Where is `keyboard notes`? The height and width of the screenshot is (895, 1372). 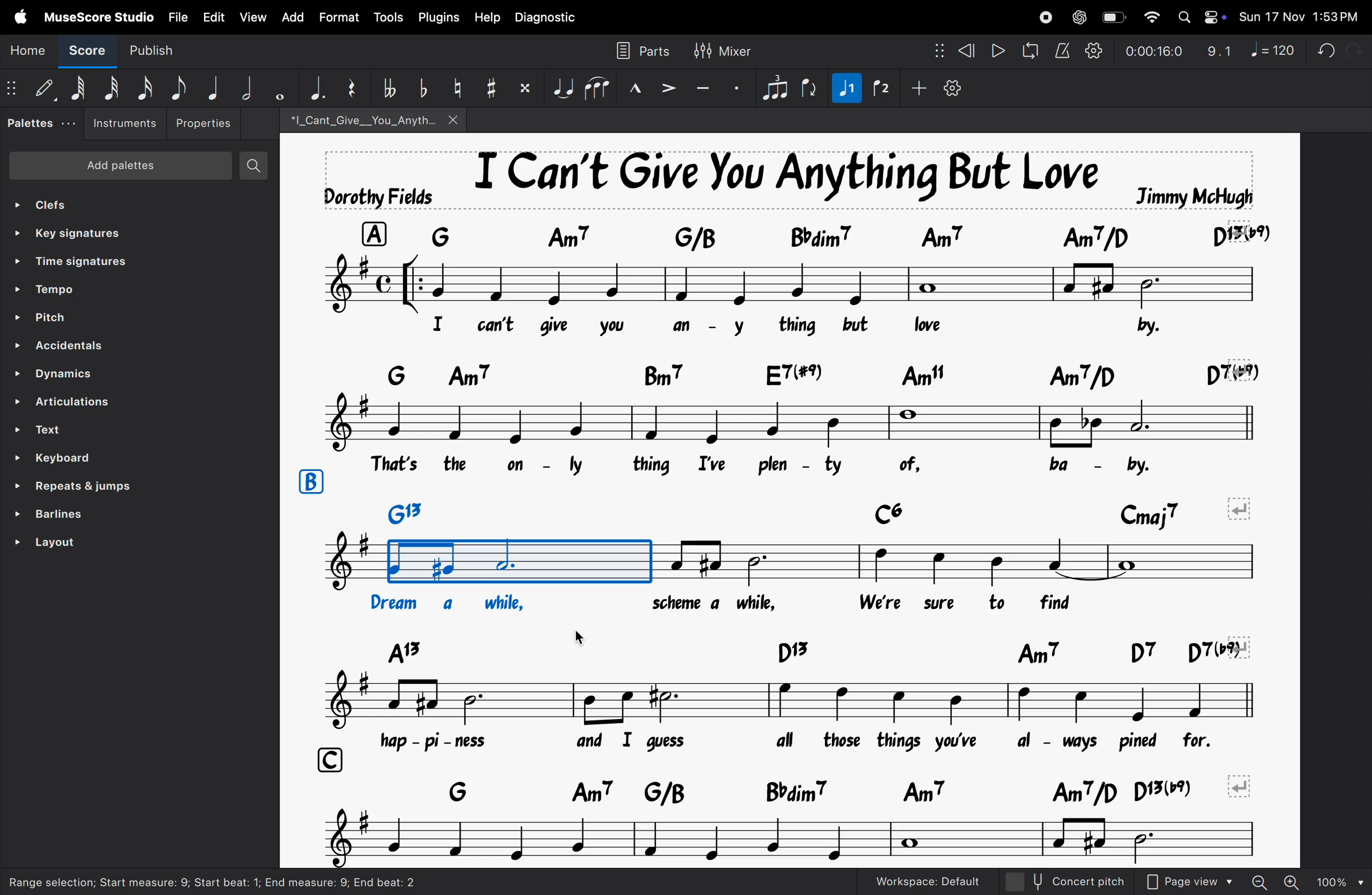 keyboard notes is located at coordinates (748, 374).